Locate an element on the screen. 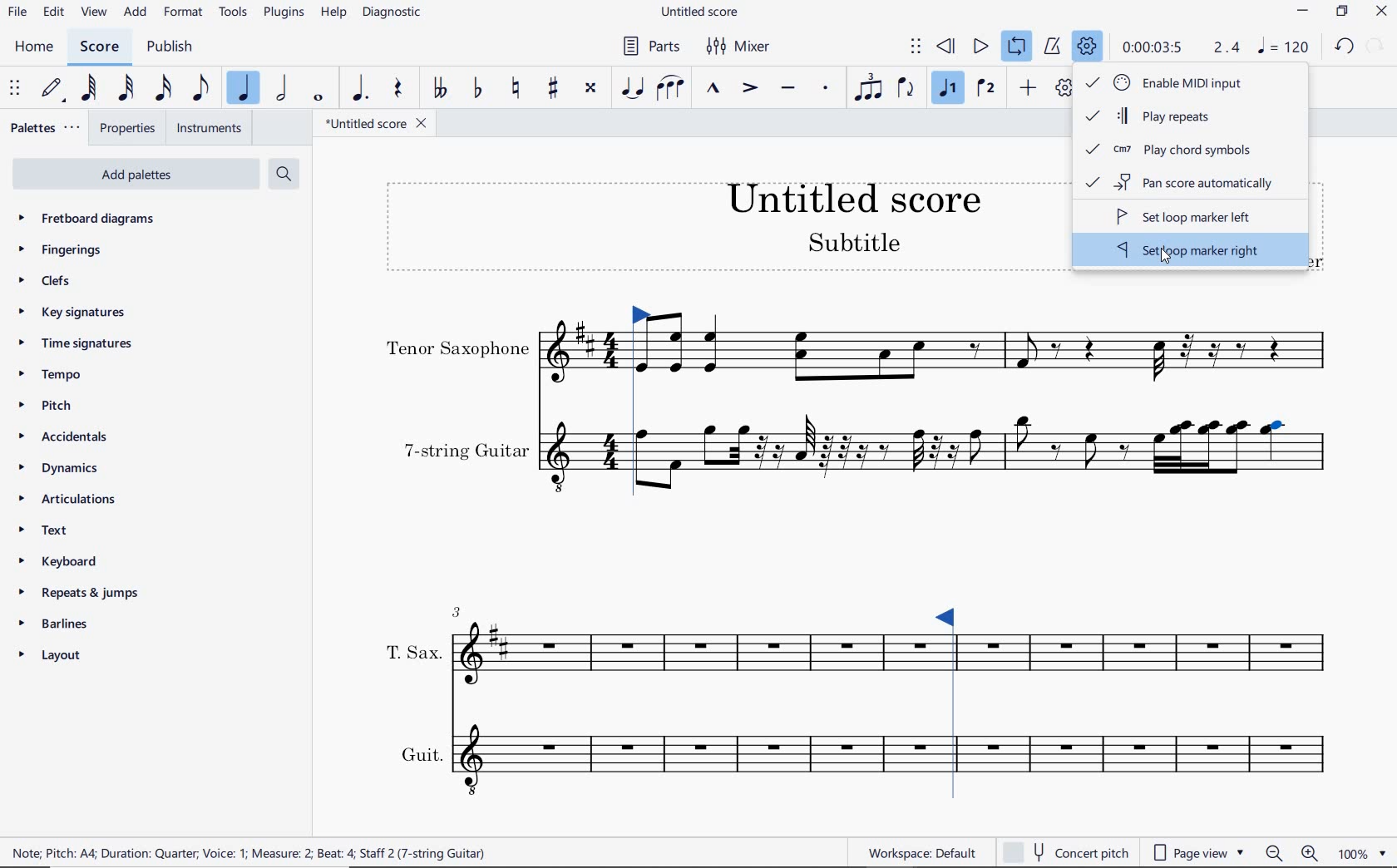  INSTRUMENT: TENOR SAXOPHONE is located at coordinates (1008, 348).